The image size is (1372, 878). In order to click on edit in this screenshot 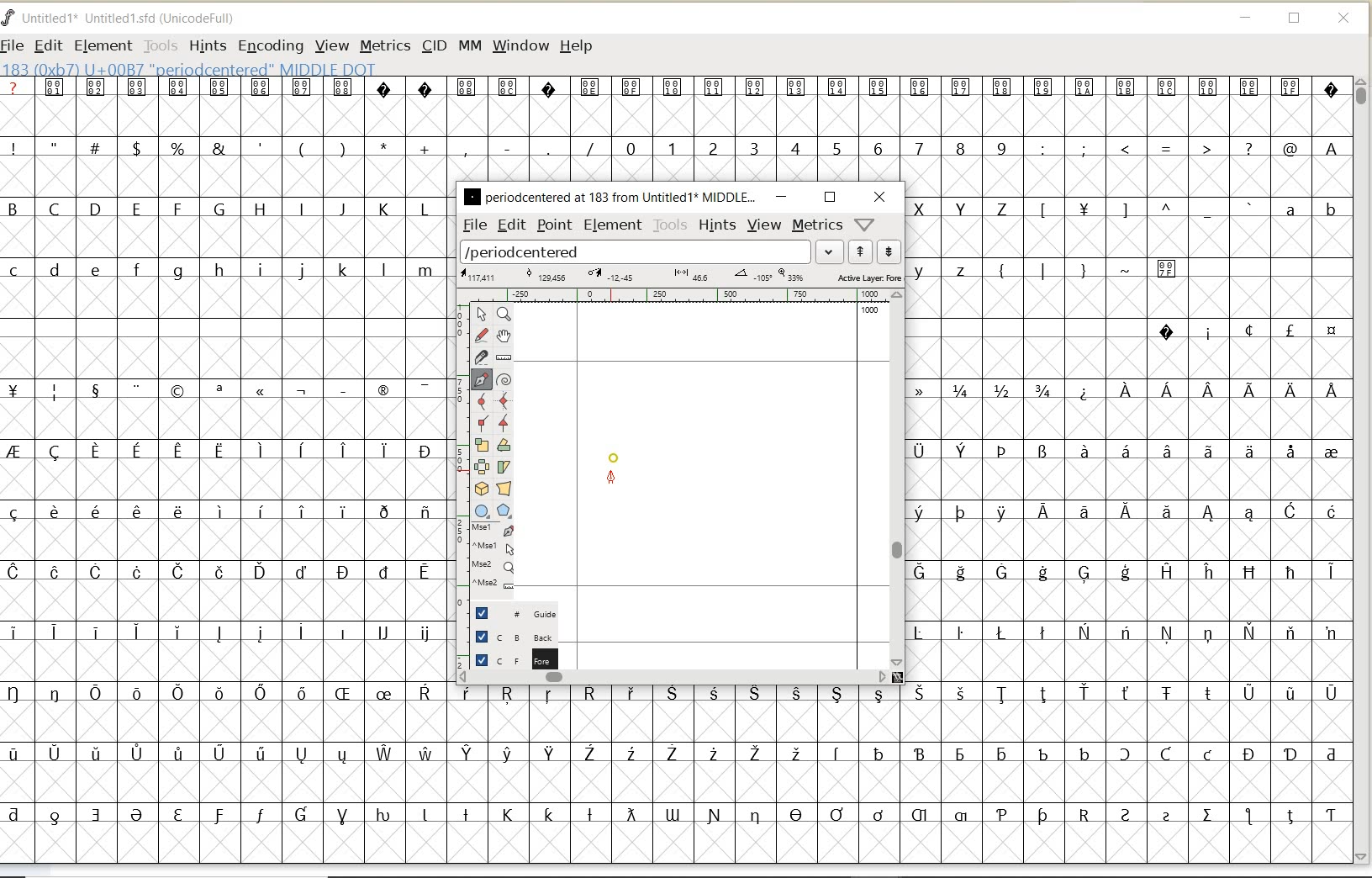, I will do `click(510, 225)`.